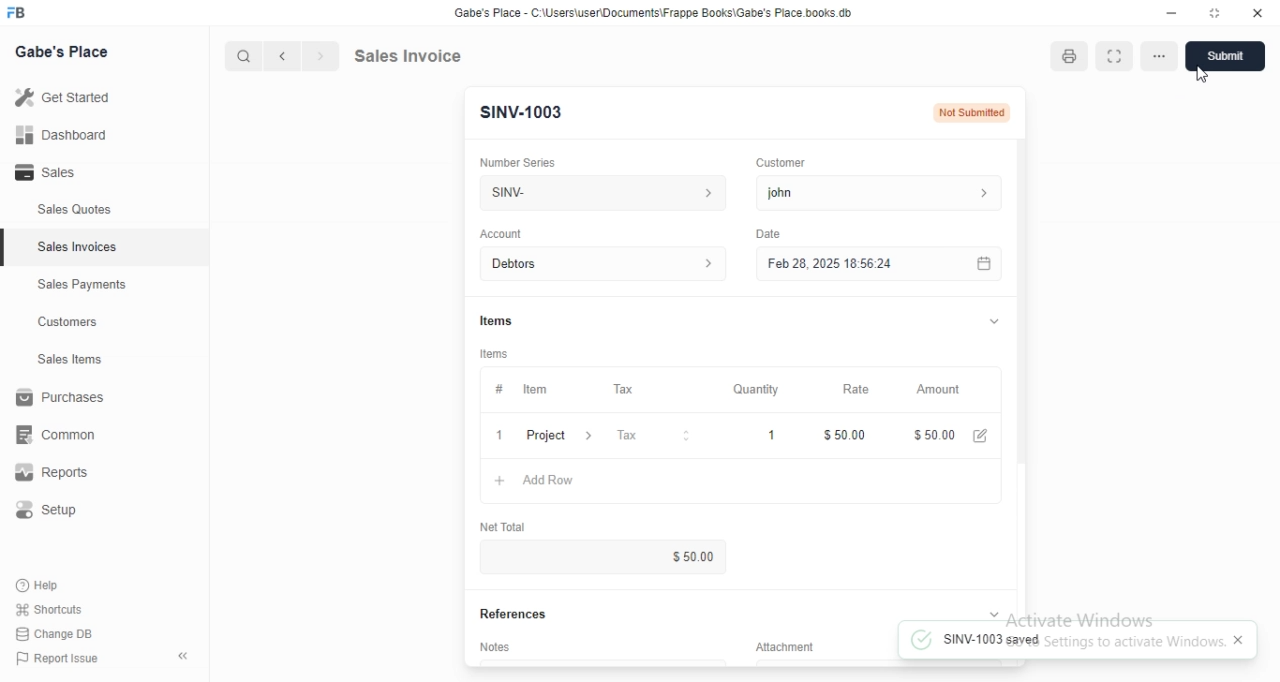 The width and height of the screenshot is (1280, 682). I want to click on scroll bar, so click(1021, 321).